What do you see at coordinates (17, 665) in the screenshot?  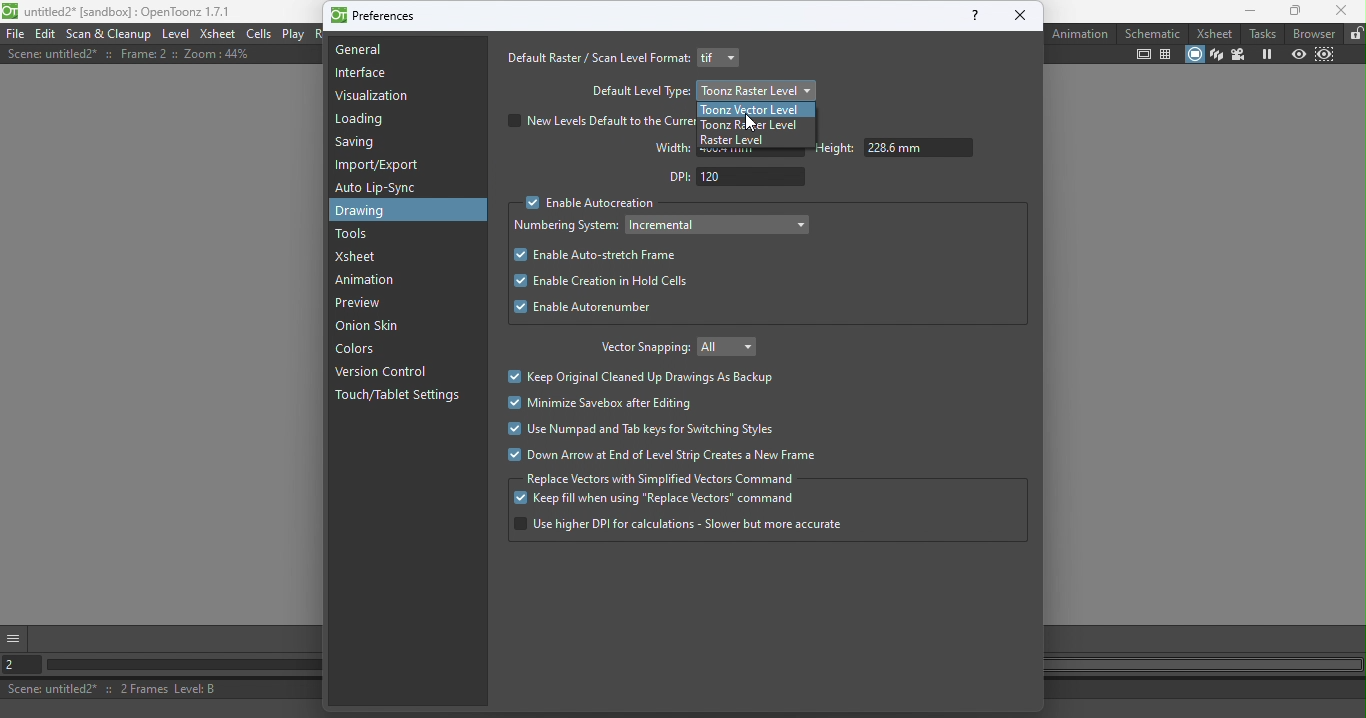 I see `Set the current frame` at bounding box center [17, 665].